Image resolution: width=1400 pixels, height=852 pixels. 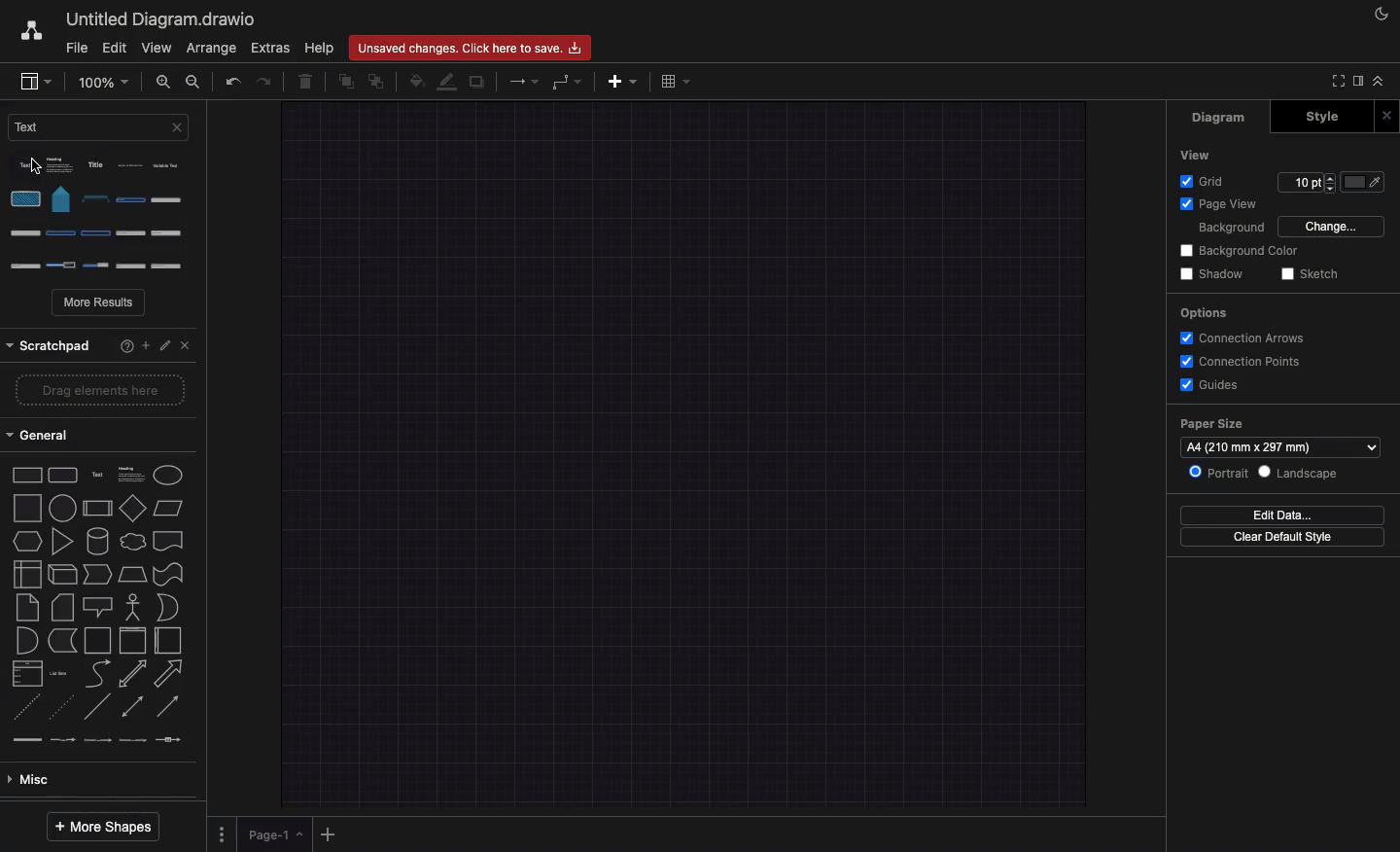 What do you see at coordinates (221, 832) in the screenshot?
I see `Options` at bounding box center [221, 832].